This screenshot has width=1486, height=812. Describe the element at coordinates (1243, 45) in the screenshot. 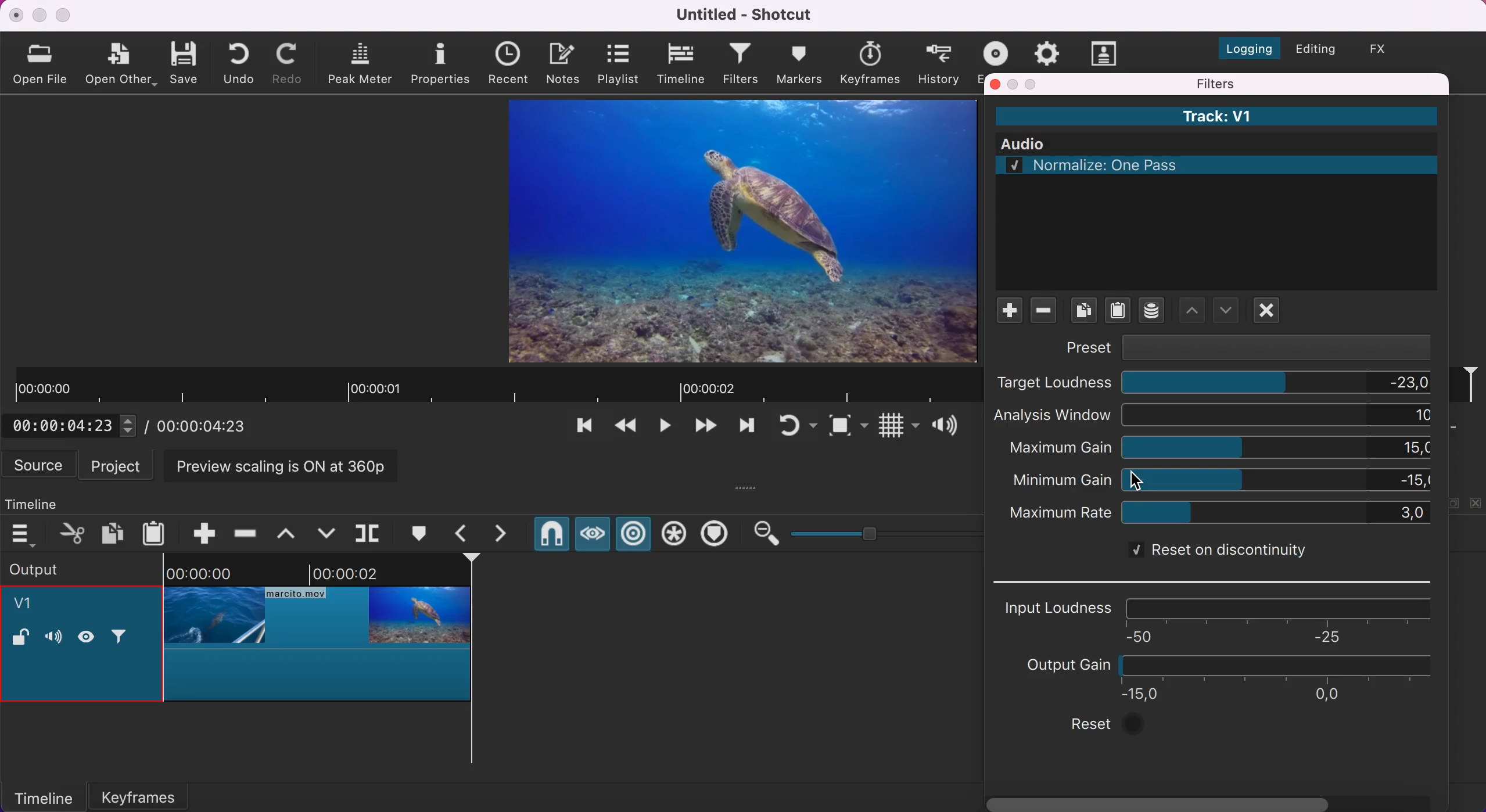

I see `switch to the logging layout` at that location.